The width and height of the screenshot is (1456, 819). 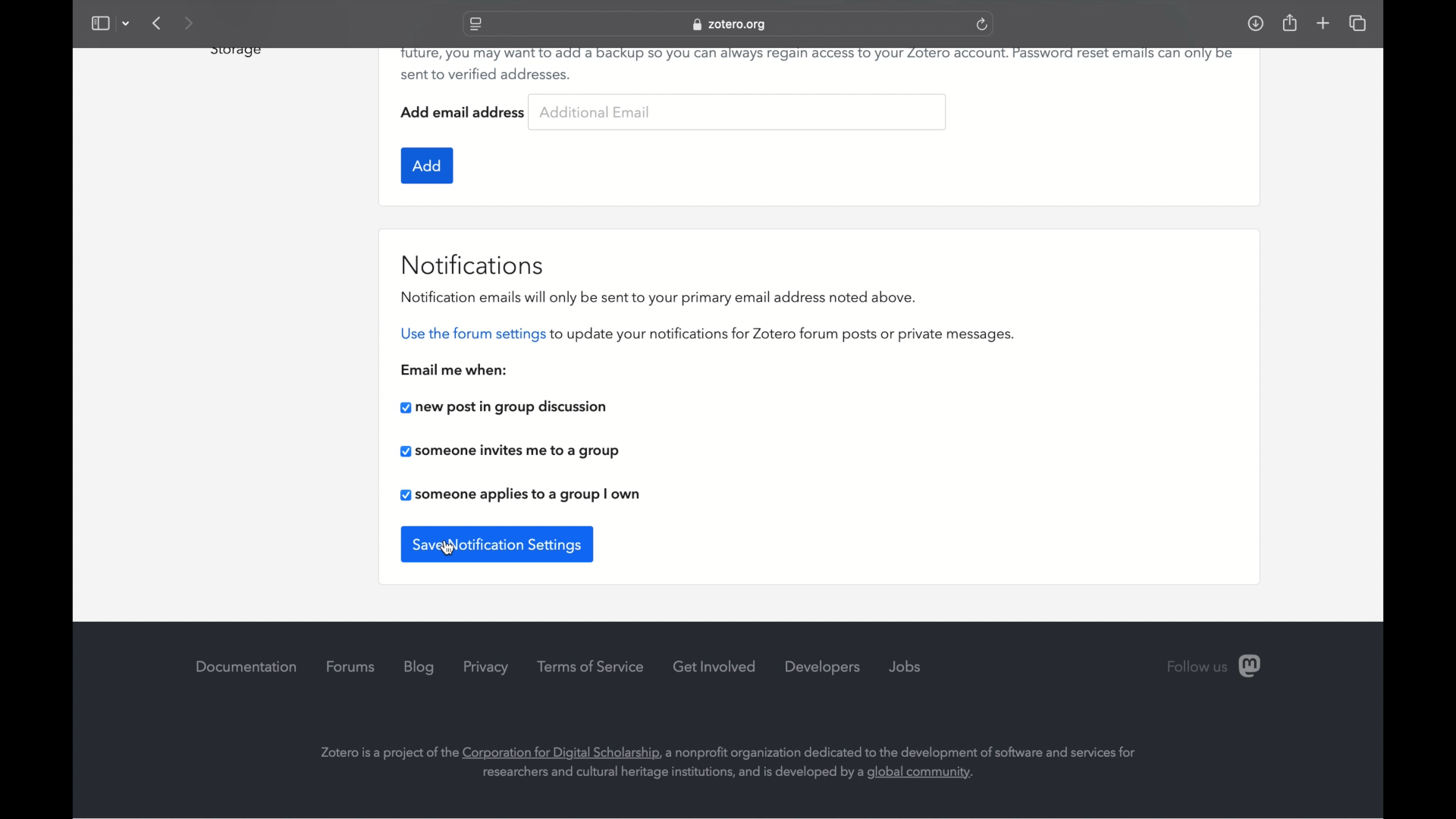 I want to click on website address, so click(x=730, y=25).